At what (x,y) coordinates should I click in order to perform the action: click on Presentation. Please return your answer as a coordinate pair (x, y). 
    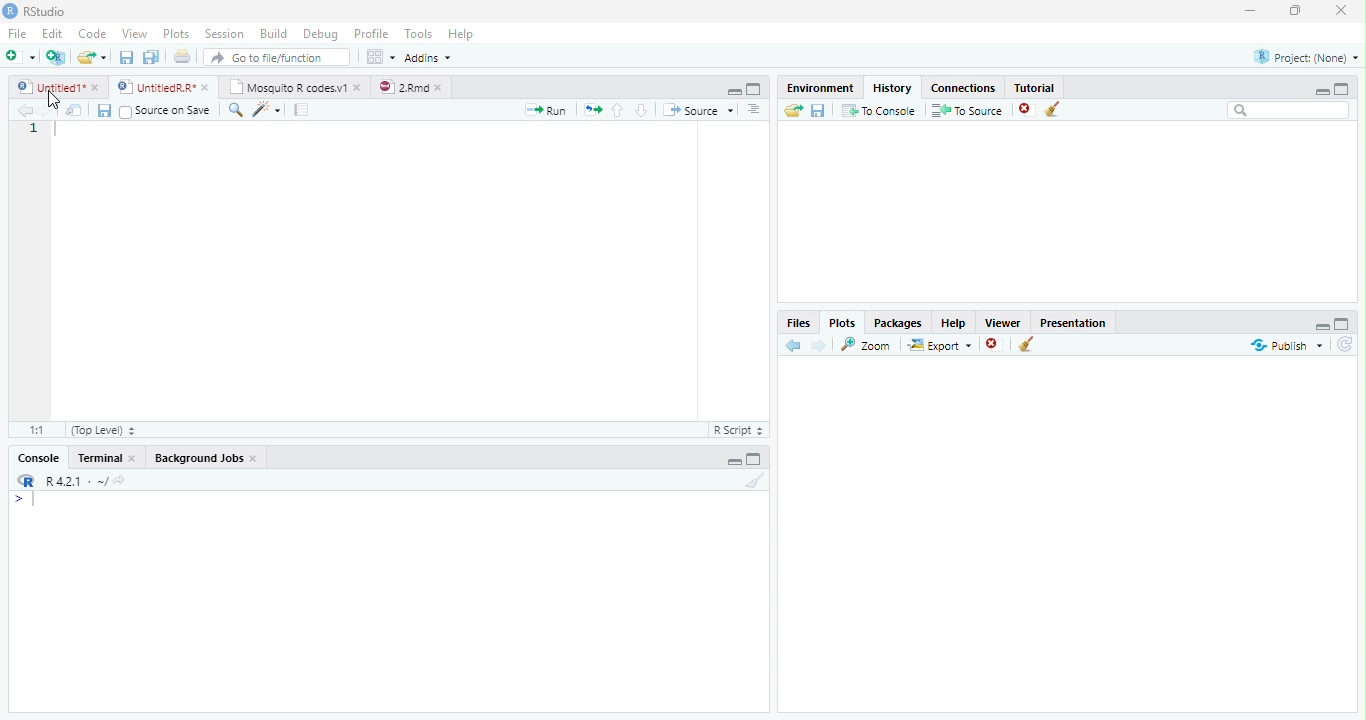
    Looking at the image, I should click on (1073, 322).